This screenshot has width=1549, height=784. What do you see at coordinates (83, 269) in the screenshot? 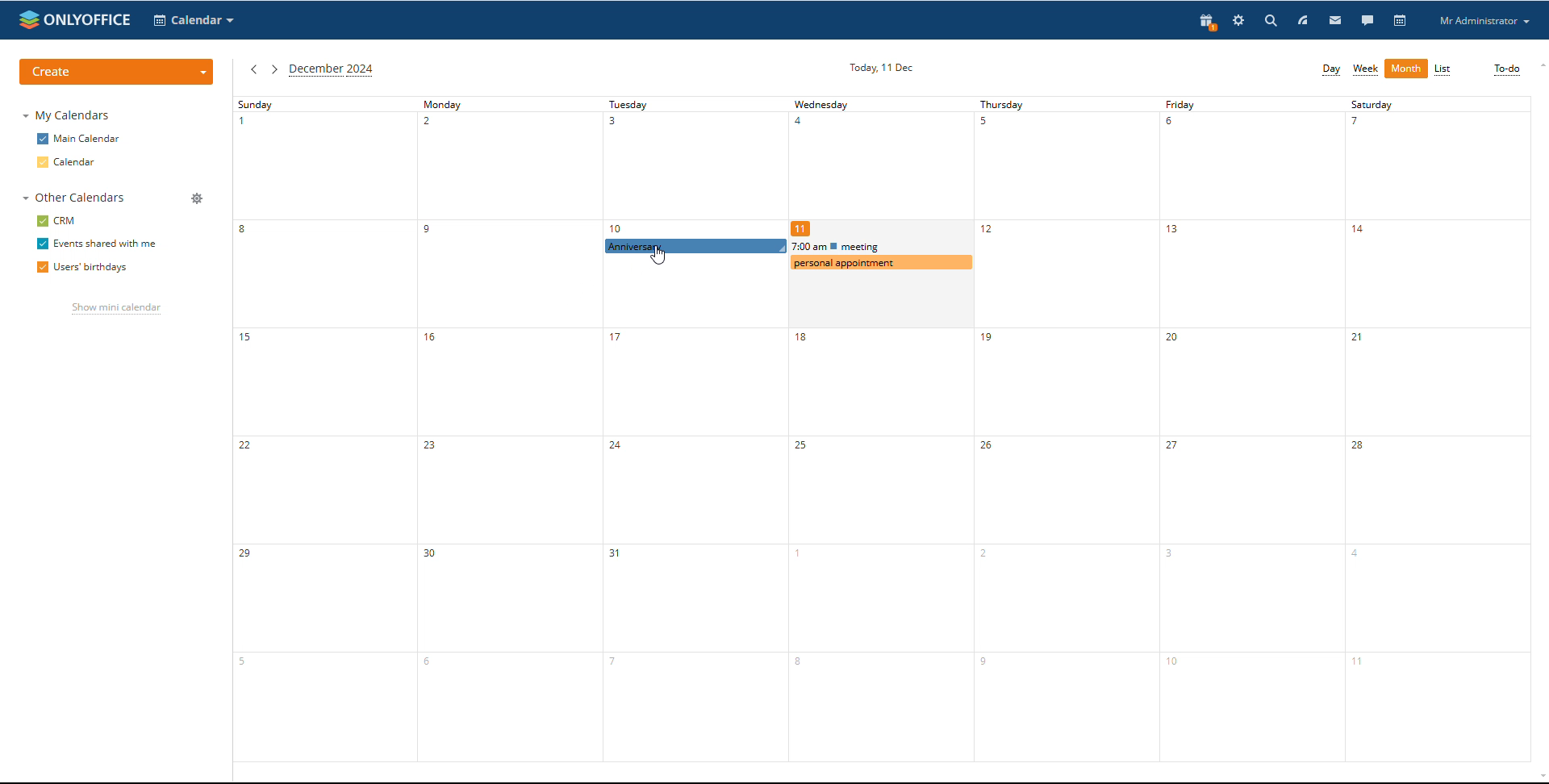
I see `users' birthdays` at bounding box center [83, 269].